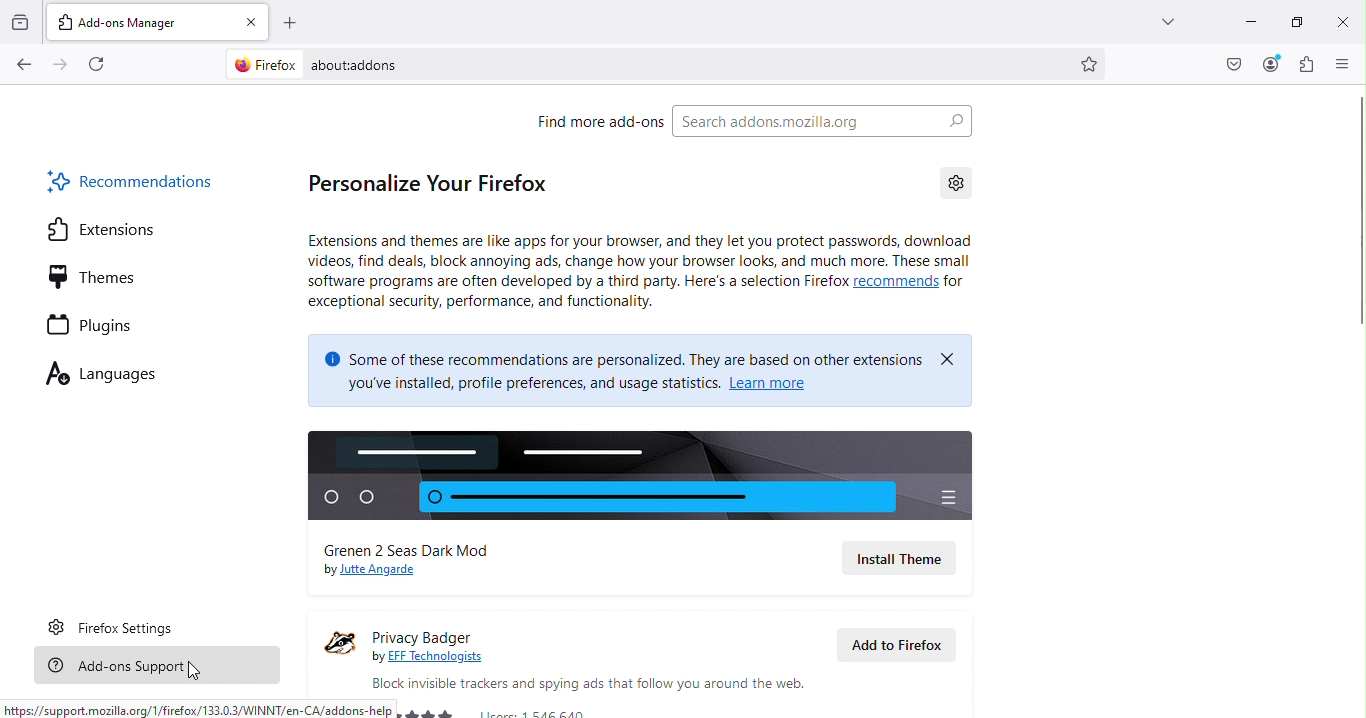 The image size is (1366, 718). What do you see at coordinates (119, 624) in the screenshot?
I see `Firefox settings` at bounding box center [119, 624].